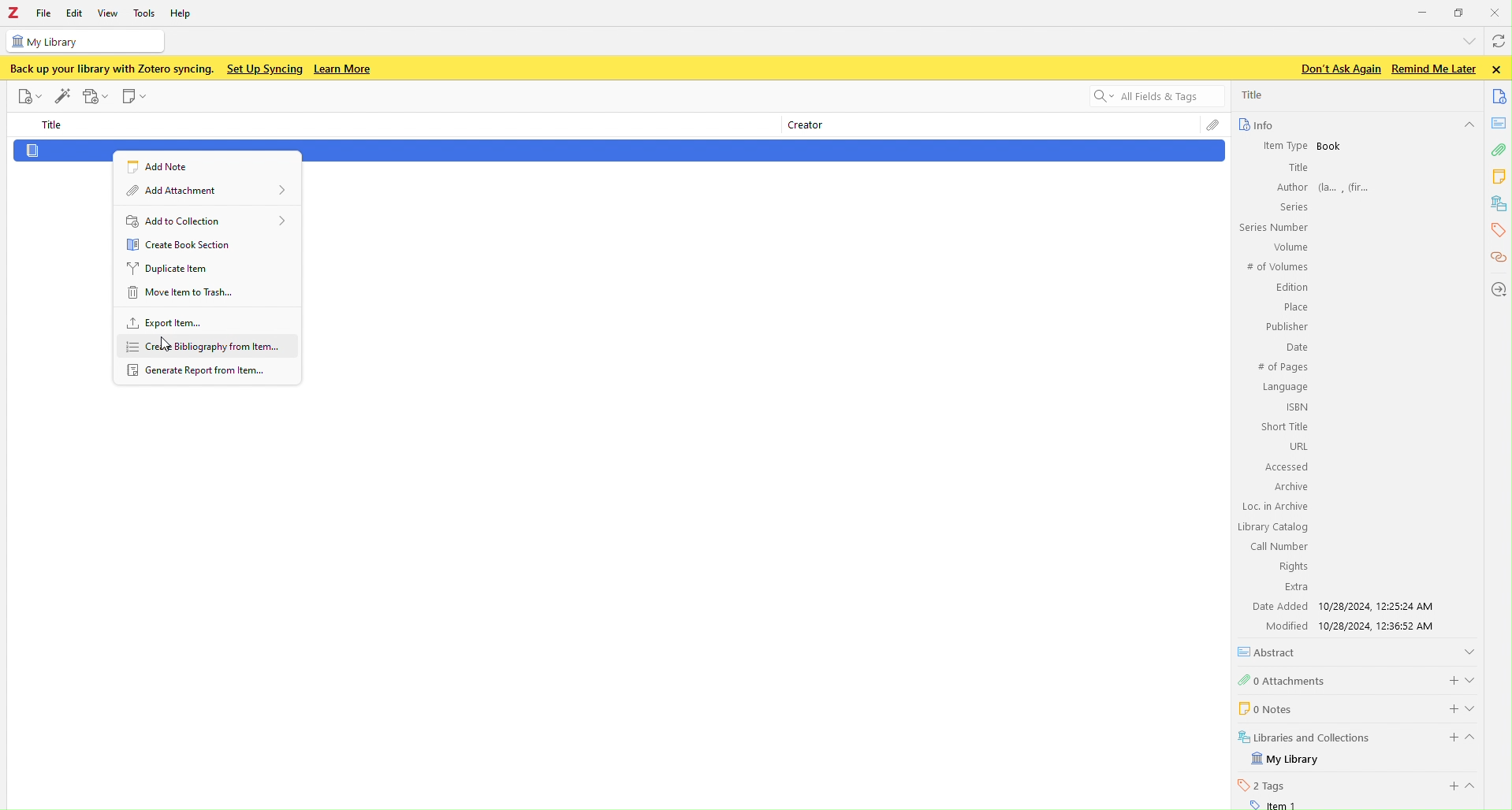 This screenshot has height=810, width=1512. Describe the element at coordinates (1500, 95) in the screenshot. I see `documents` at that location.